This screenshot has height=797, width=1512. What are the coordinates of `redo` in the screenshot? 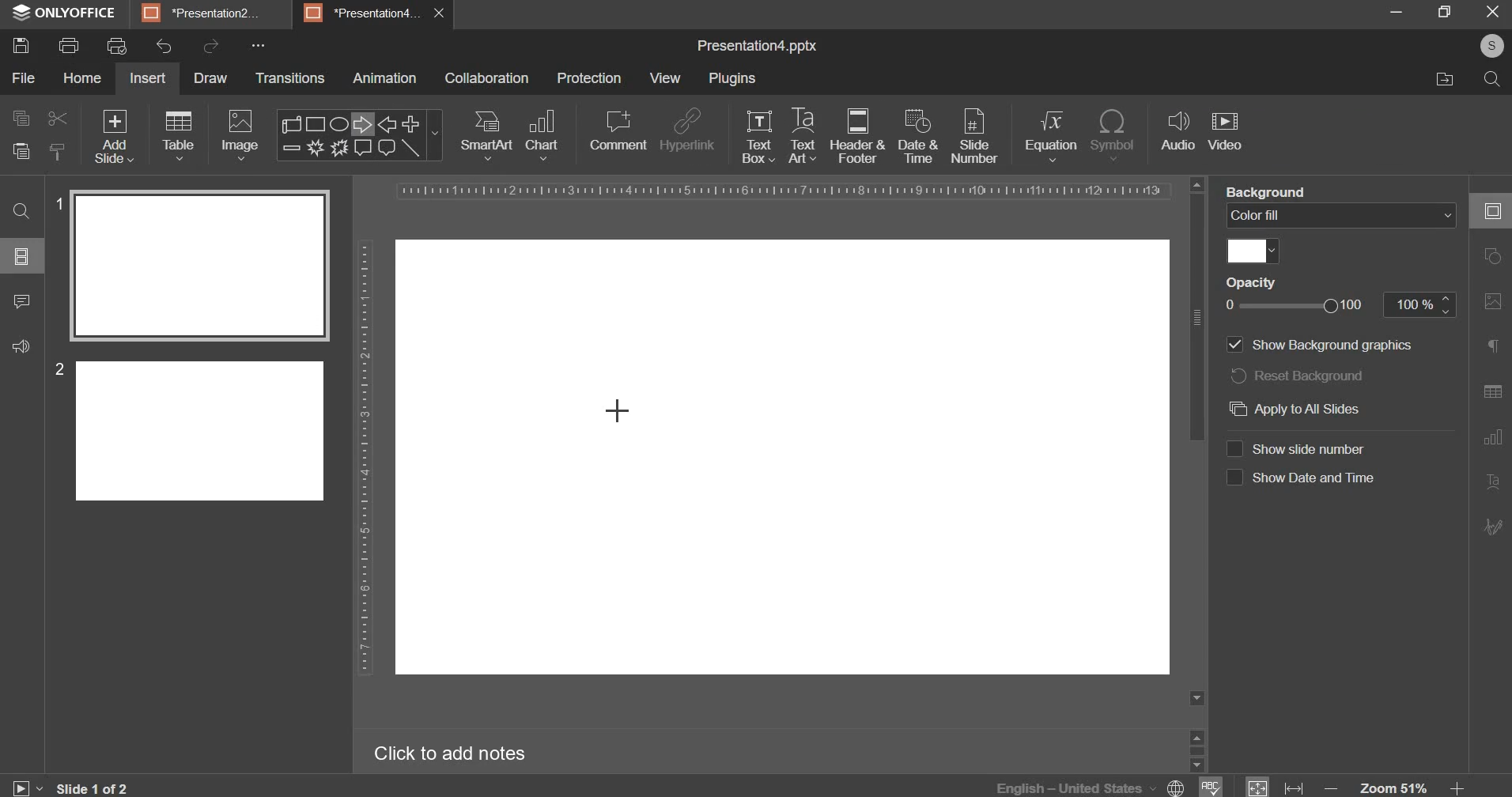 It's located at (211, 46).